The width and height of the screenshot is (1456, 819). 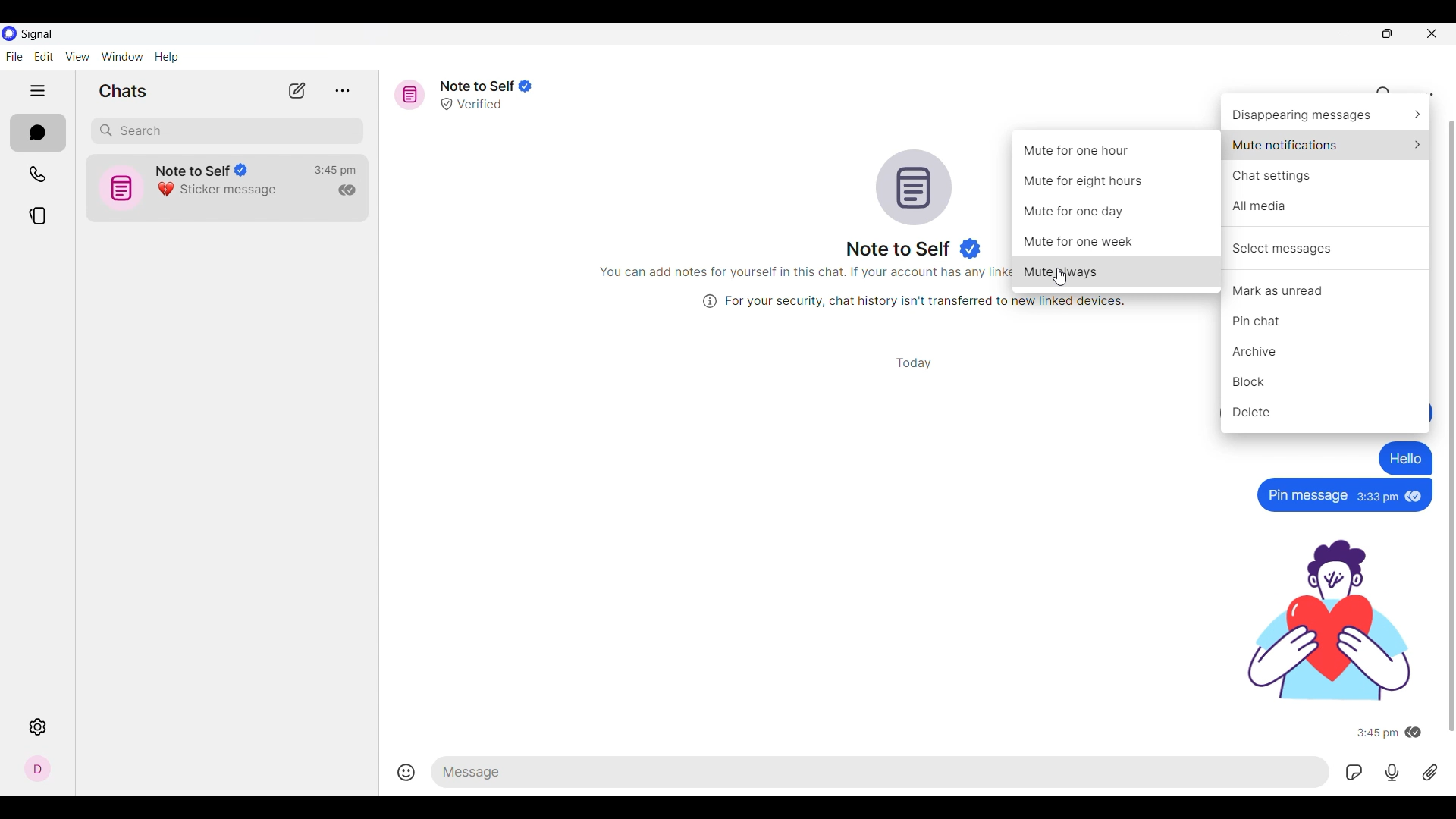 I want to click on Verified, so click(x=475, y=106).